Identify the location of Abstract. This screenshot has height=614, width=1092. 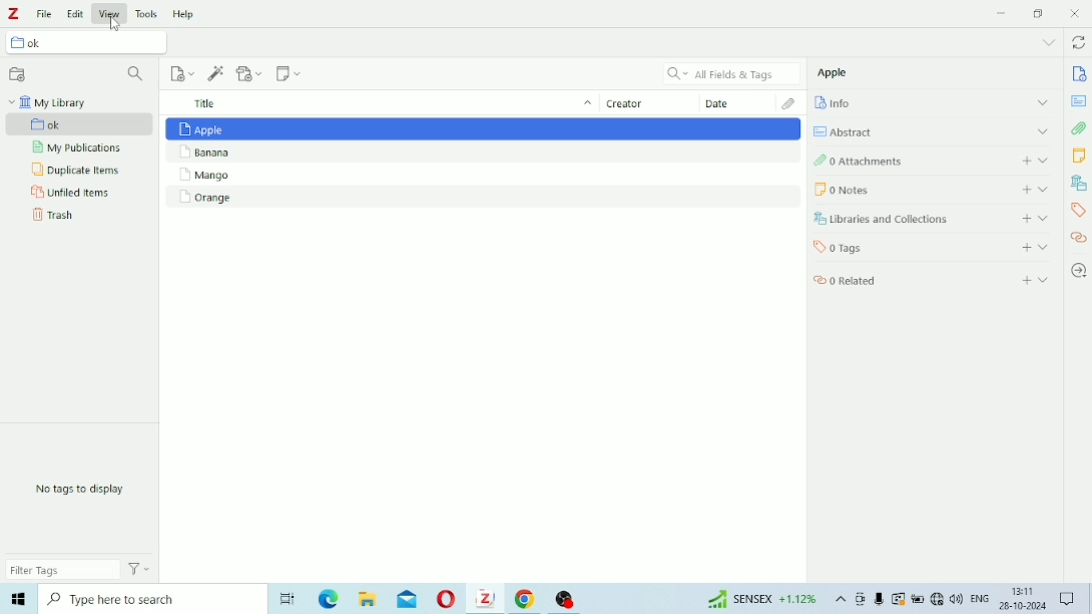
(852, 129).